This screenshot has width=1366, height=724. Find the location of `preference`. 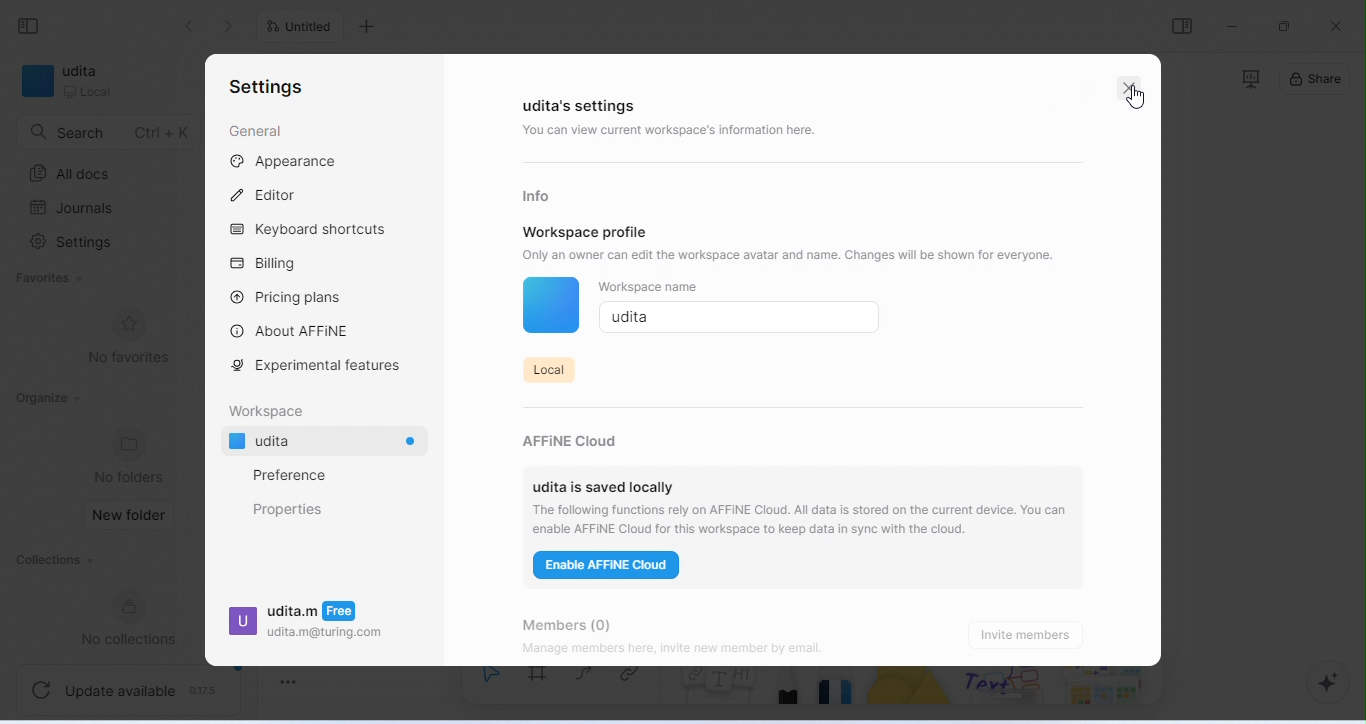

preference is located at coordinates (289, 475).